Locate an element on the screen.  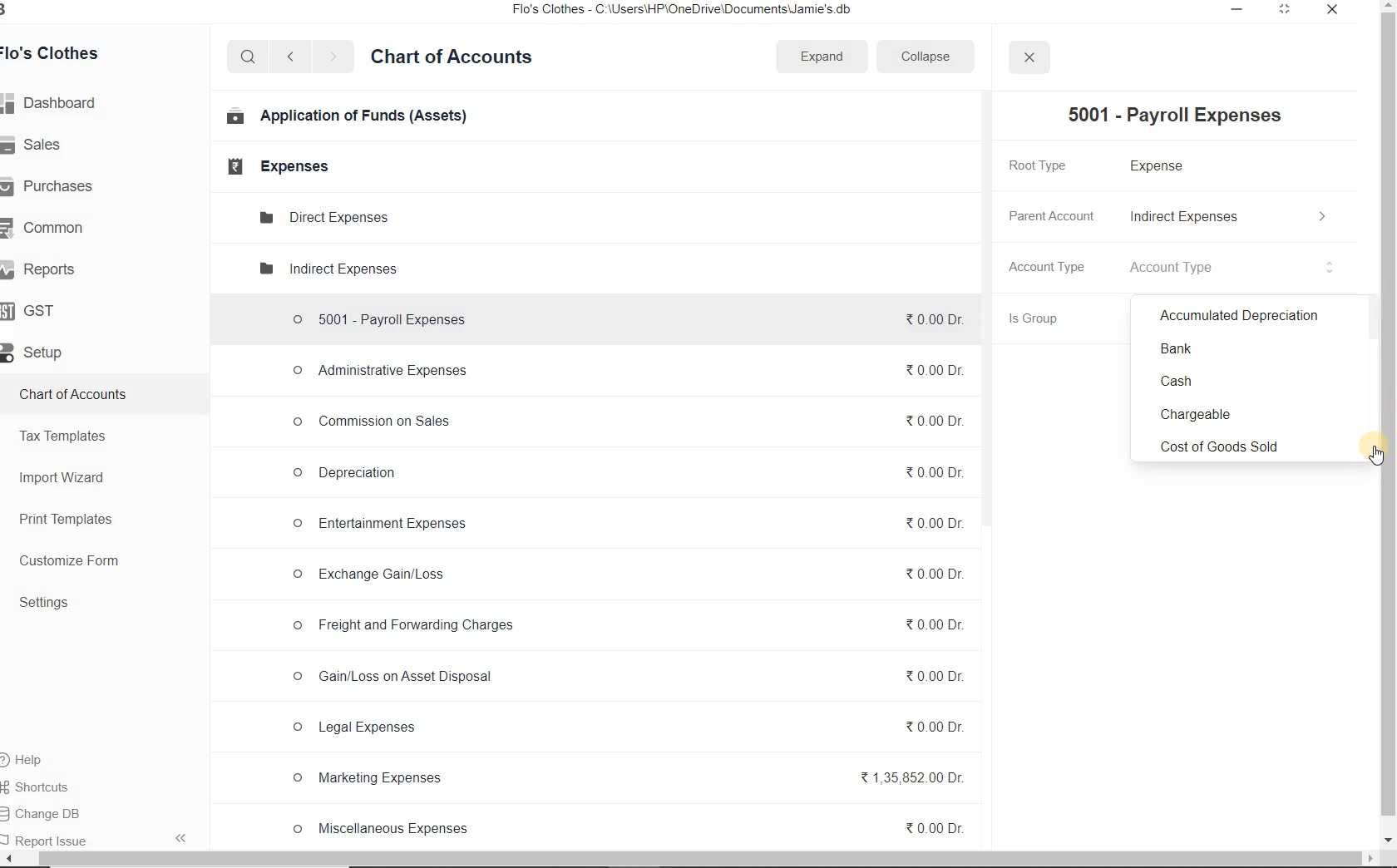
move down is located at coordinates (1389, 841).